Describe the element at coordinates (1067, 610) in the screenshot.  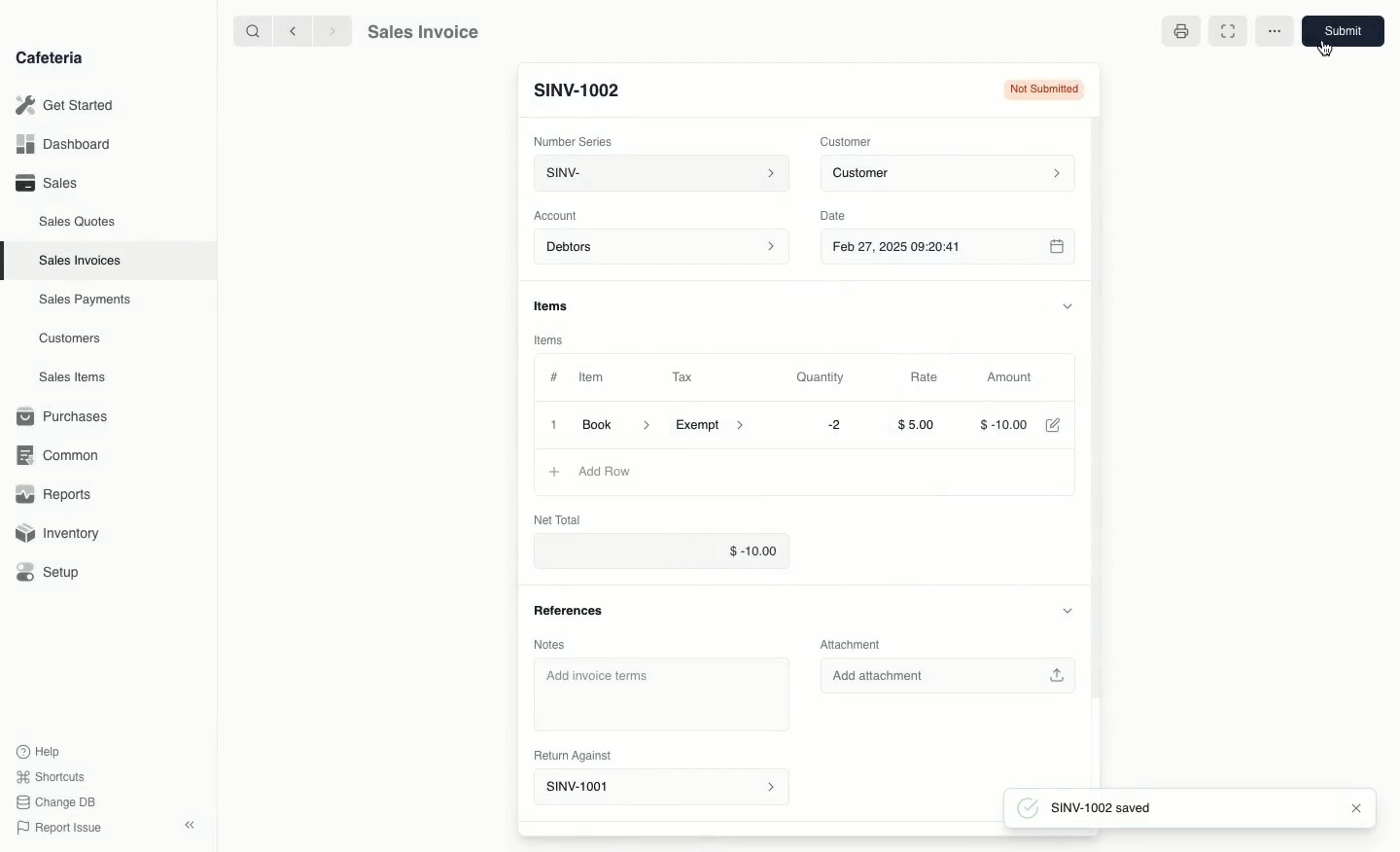
I see `Hide` at that location.